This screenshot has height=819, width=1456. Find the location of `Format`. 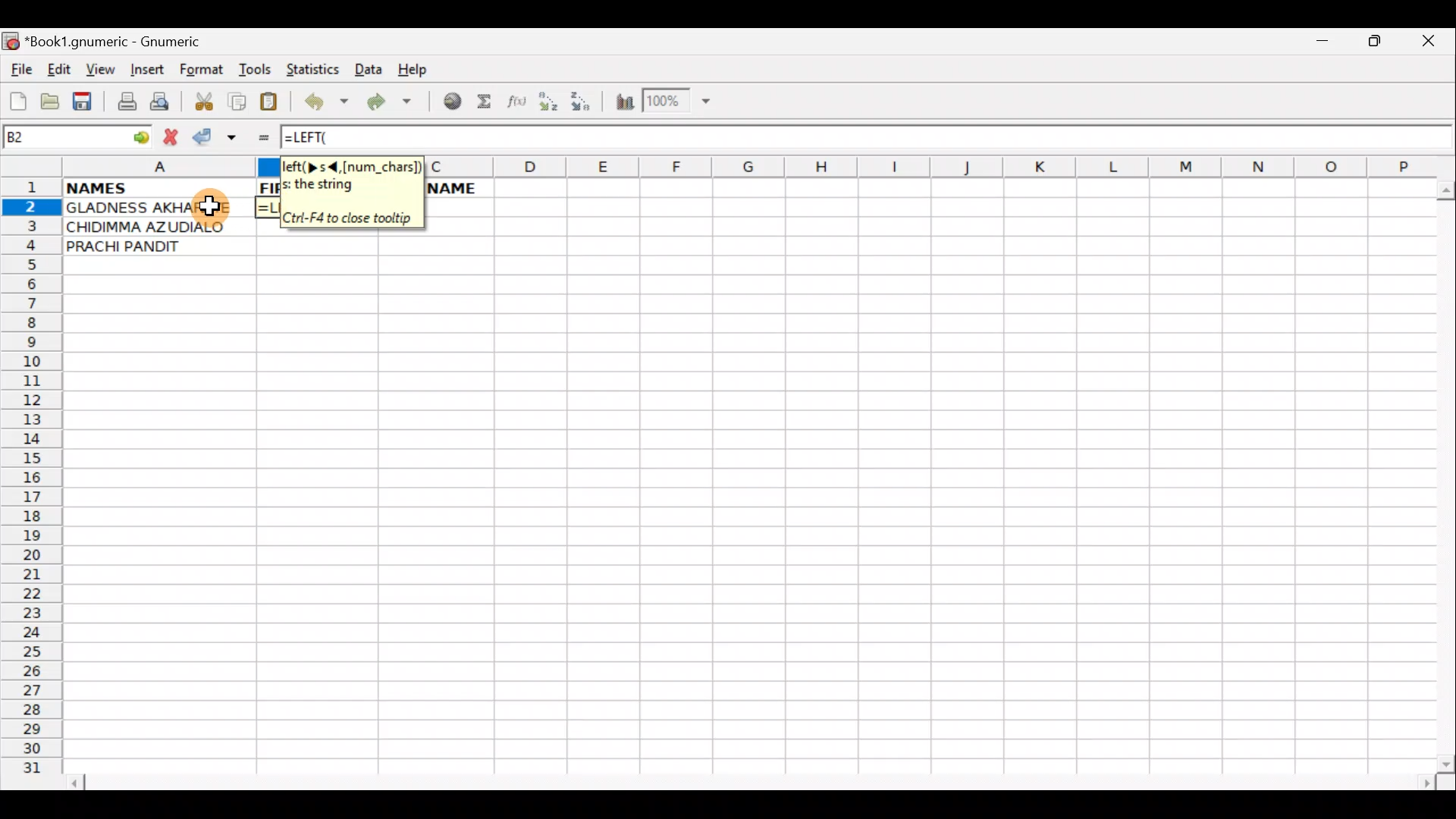

Format is located at coordinates (205, 71).